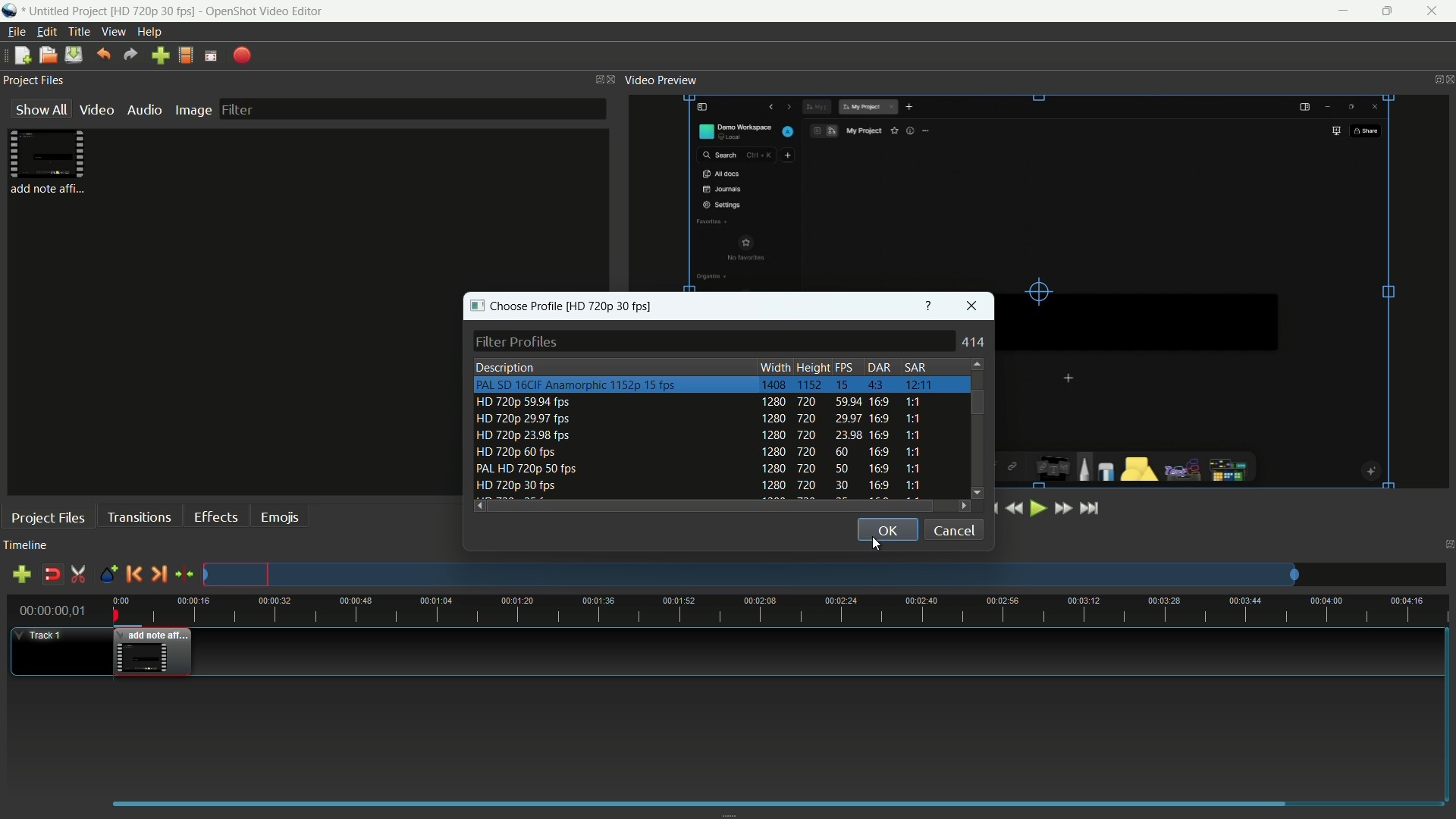 The image size is (1456, 819). I want to click on video, so click(94, 111).